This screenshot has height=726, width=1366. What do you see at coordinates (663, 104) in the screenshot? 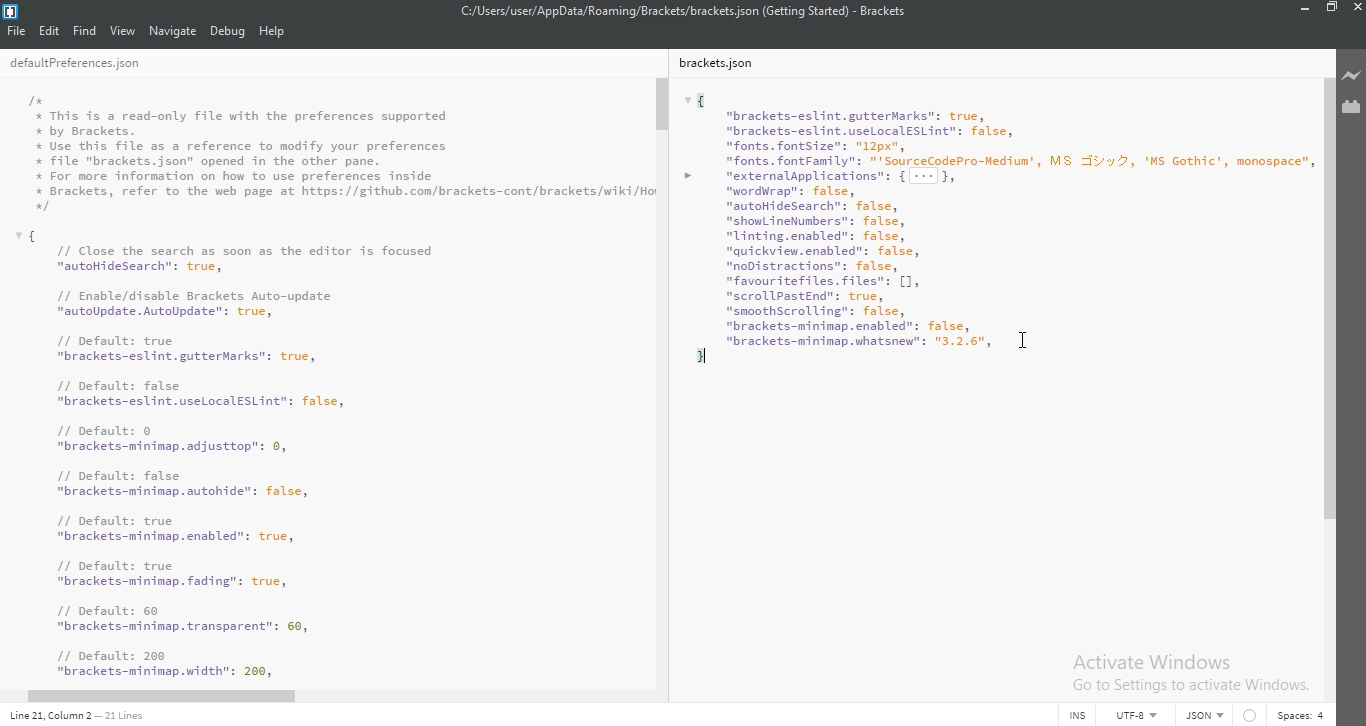
I see `scroll bar` at bounding box center [663, 104].